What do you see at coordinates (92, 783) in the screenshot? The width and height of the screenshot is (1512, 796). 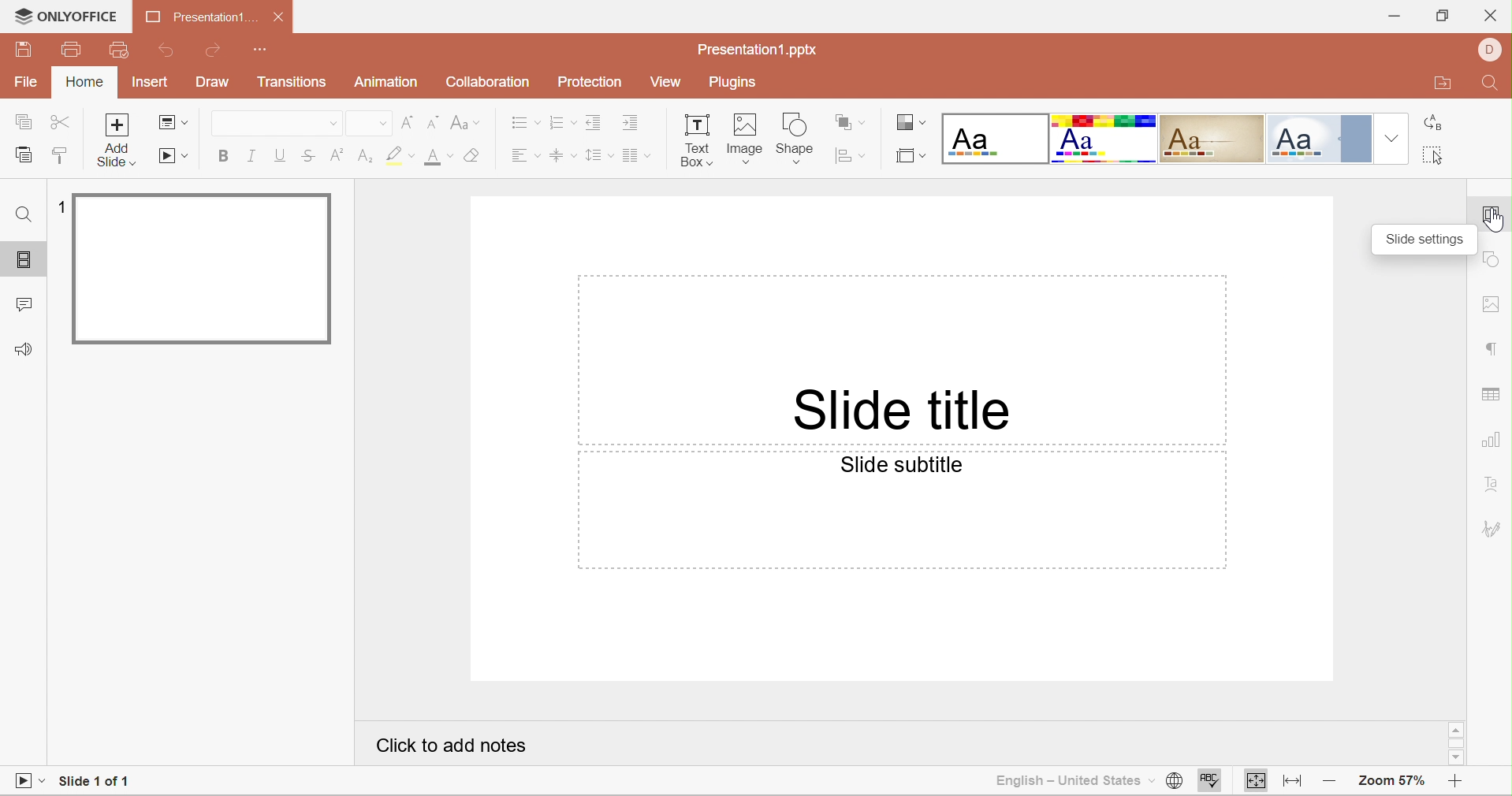 I see `Slide 1 of 1` at bounding box center [92, 783].